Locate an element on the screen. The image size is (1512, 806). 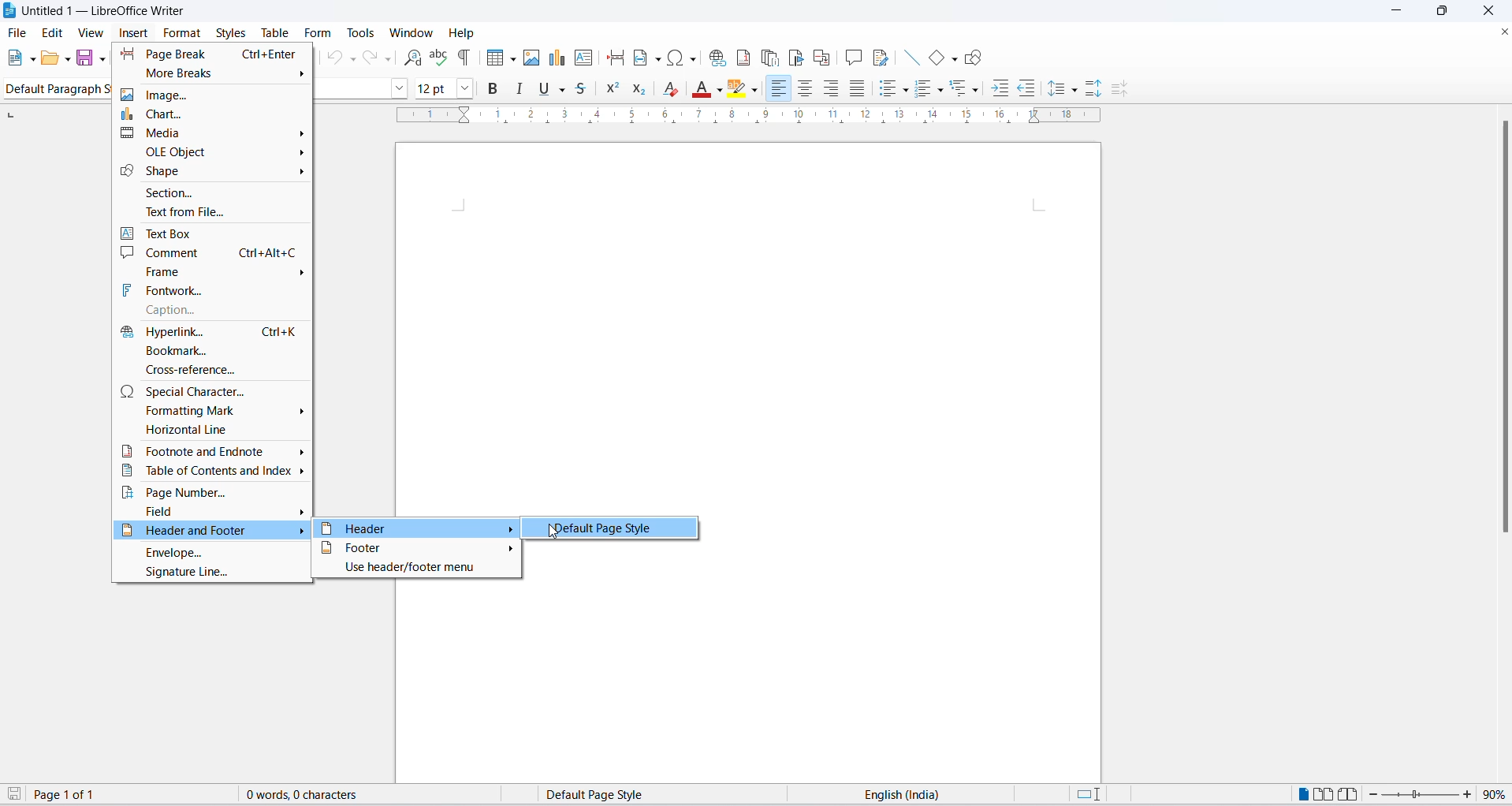
decrease indent is located at coordinates (1029, 88).